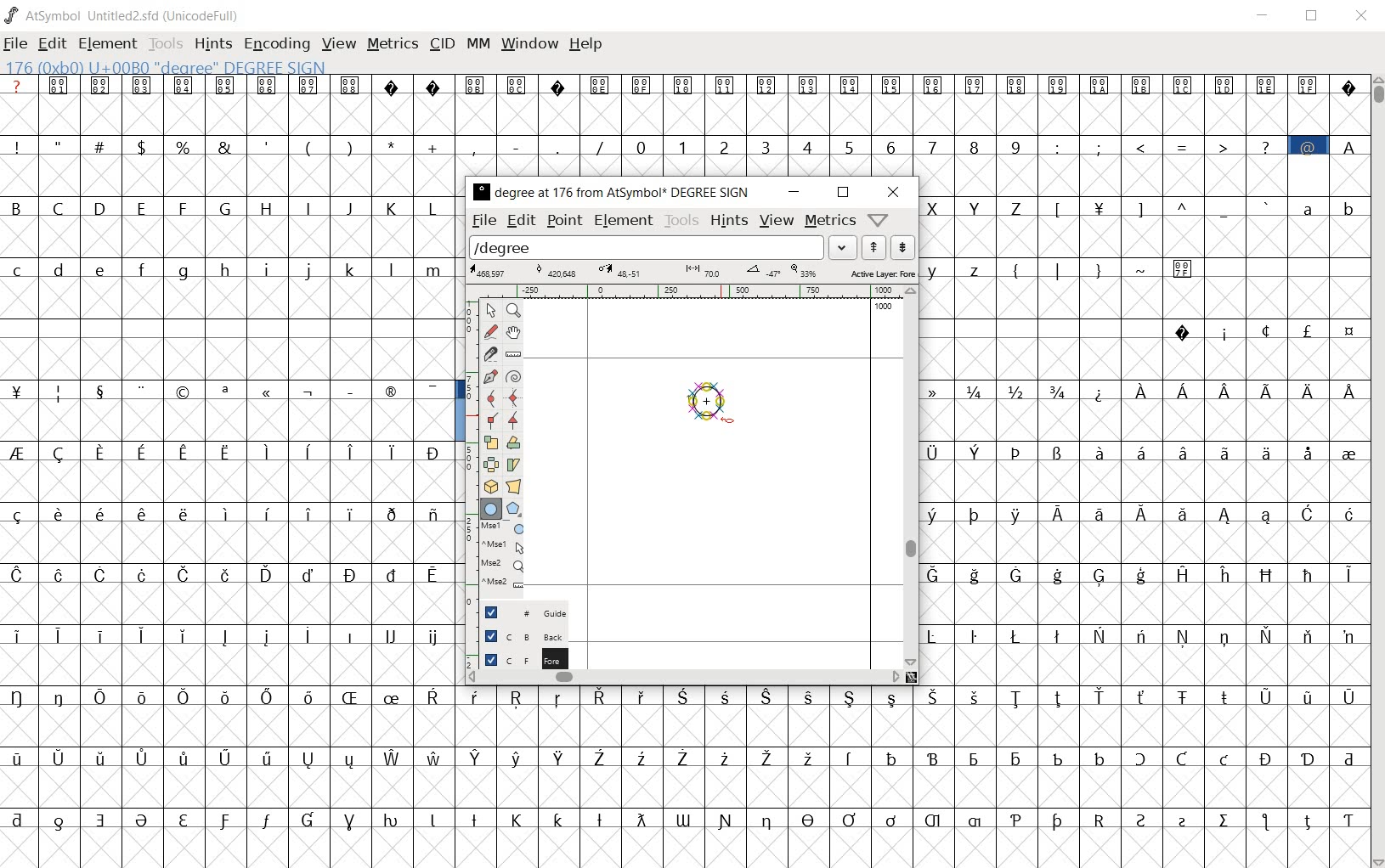  What do you see at coordinates (496, 560) in the screenshot?
I see `mse1 mse1 mse2 mse2` at bounding box center [496, 560].